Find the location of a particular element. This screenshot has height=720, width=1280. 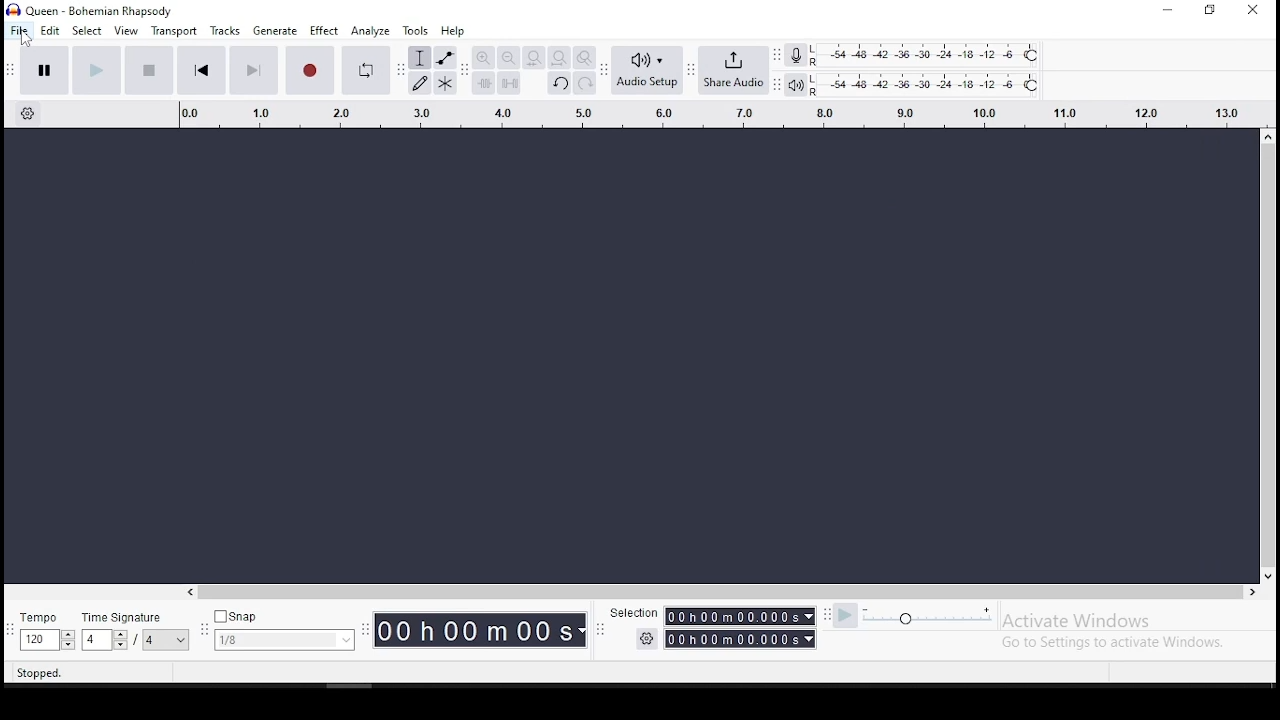

play at speed is located at coordinates (846, 617).